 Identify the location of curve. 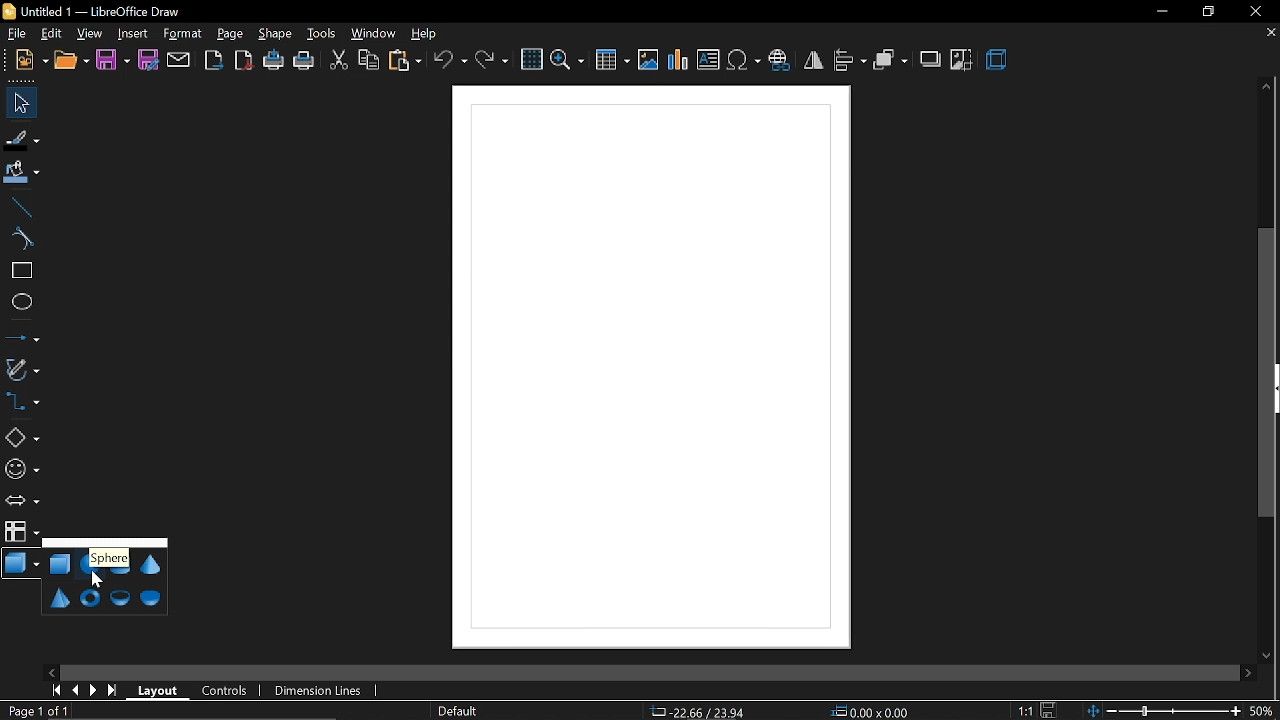
(21, 238).